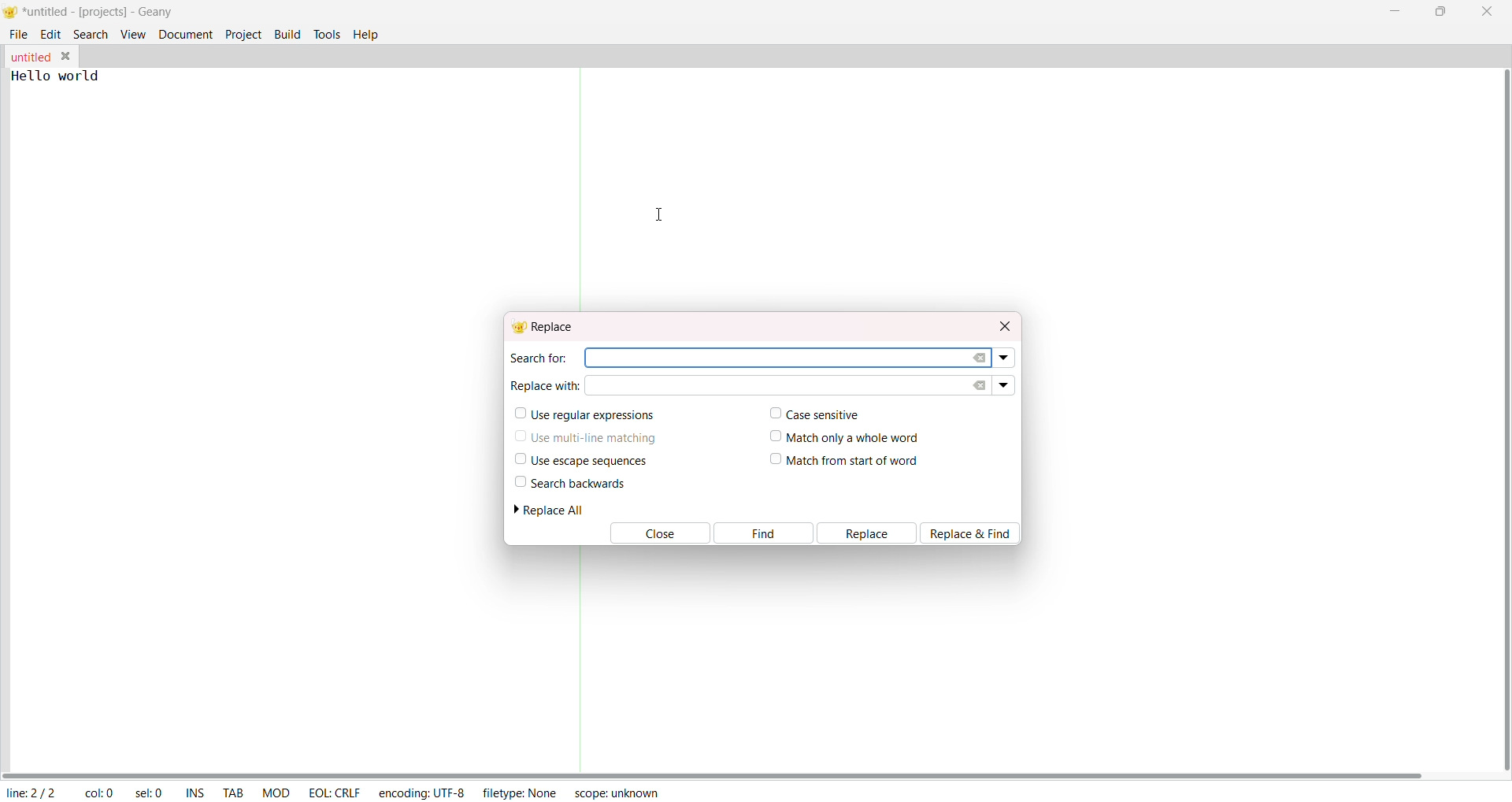  What do you see at coordinates (868, 533) in the screenshot?
I see `replace` at bounding box center [868, 533].